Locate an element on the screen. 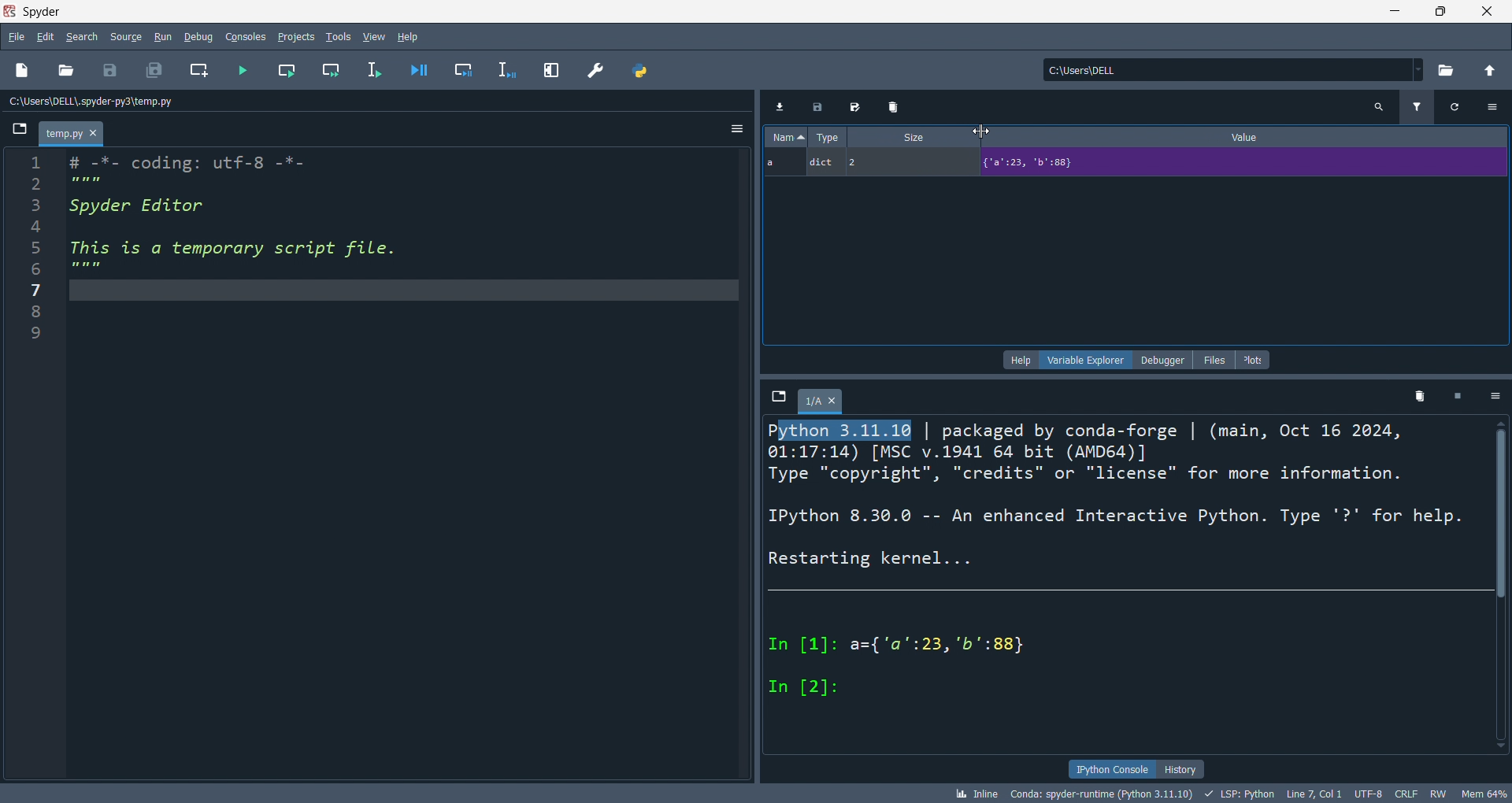 The width and height of the screenshot is (1512, 803). new file is located at coordinates (21, 72).